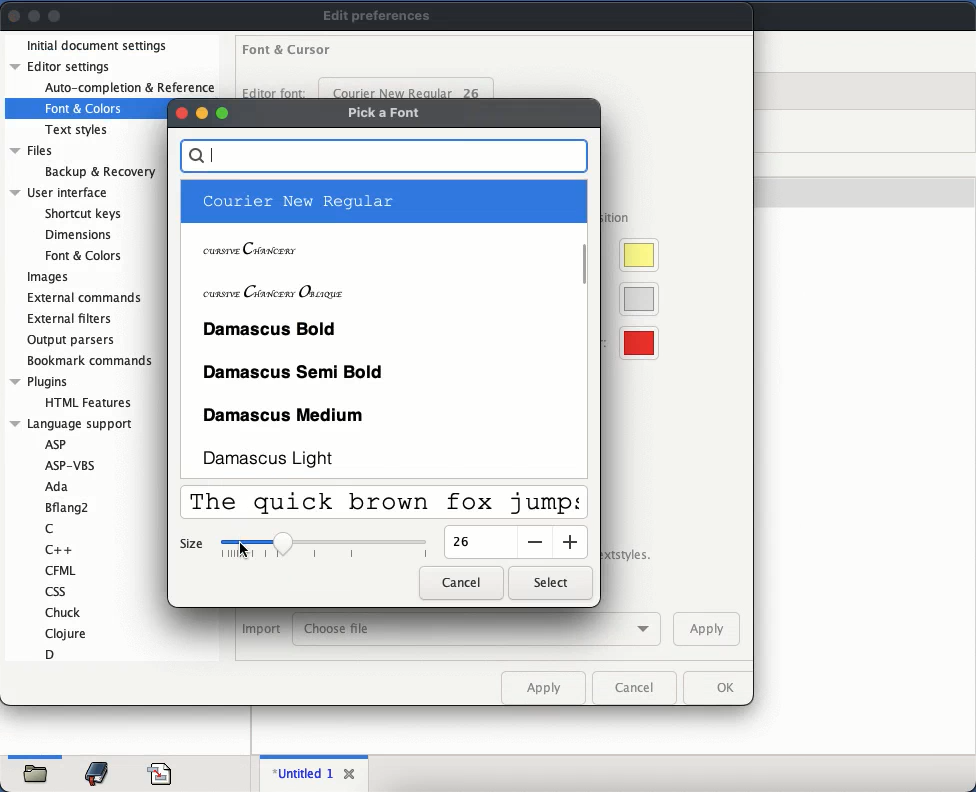 The image size is (976, 792). Describe the element at coordinates (62, 591) in the screenshot. I see `css` at that location.